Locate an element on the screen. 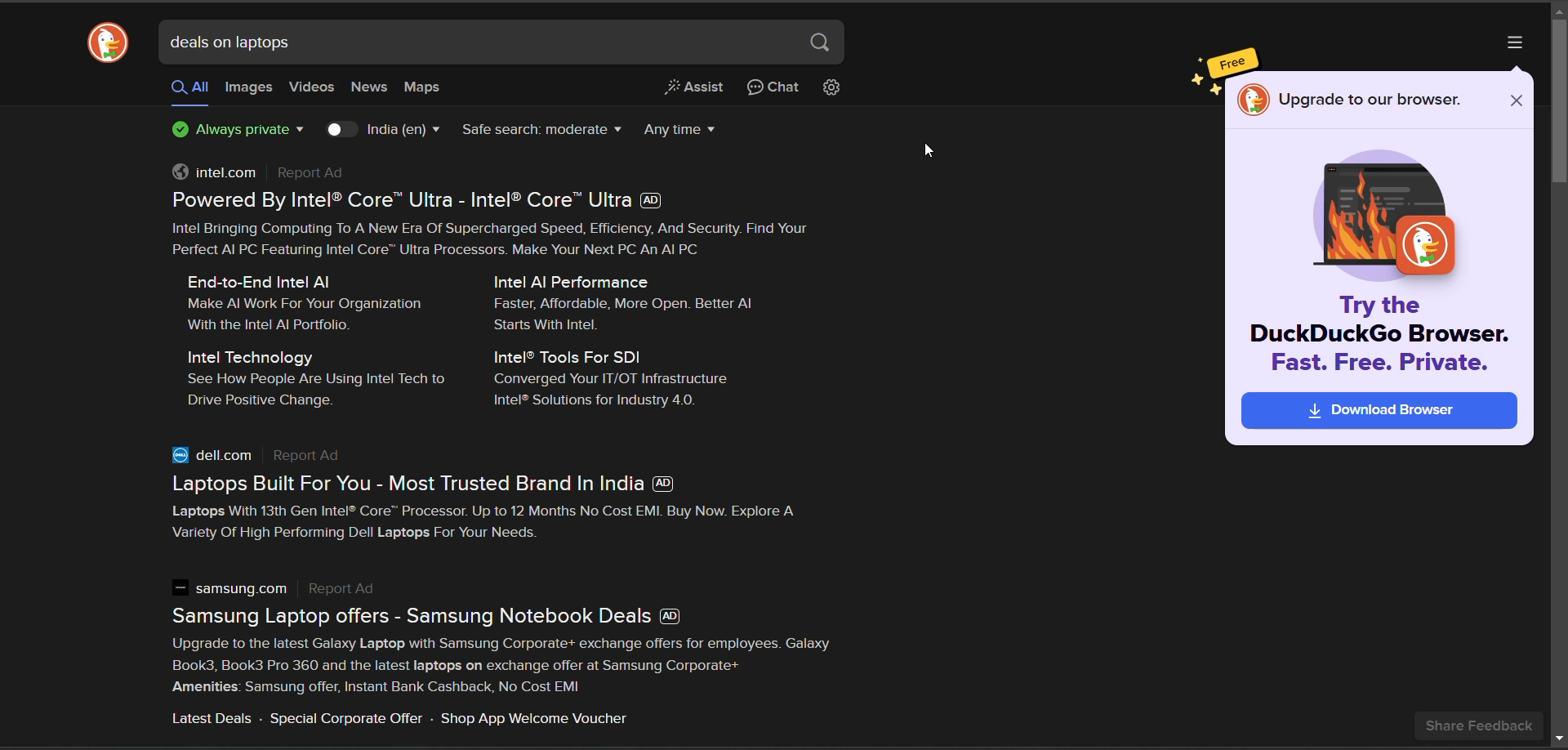   dell.com Report Ad is located at coordinates (262, 456).